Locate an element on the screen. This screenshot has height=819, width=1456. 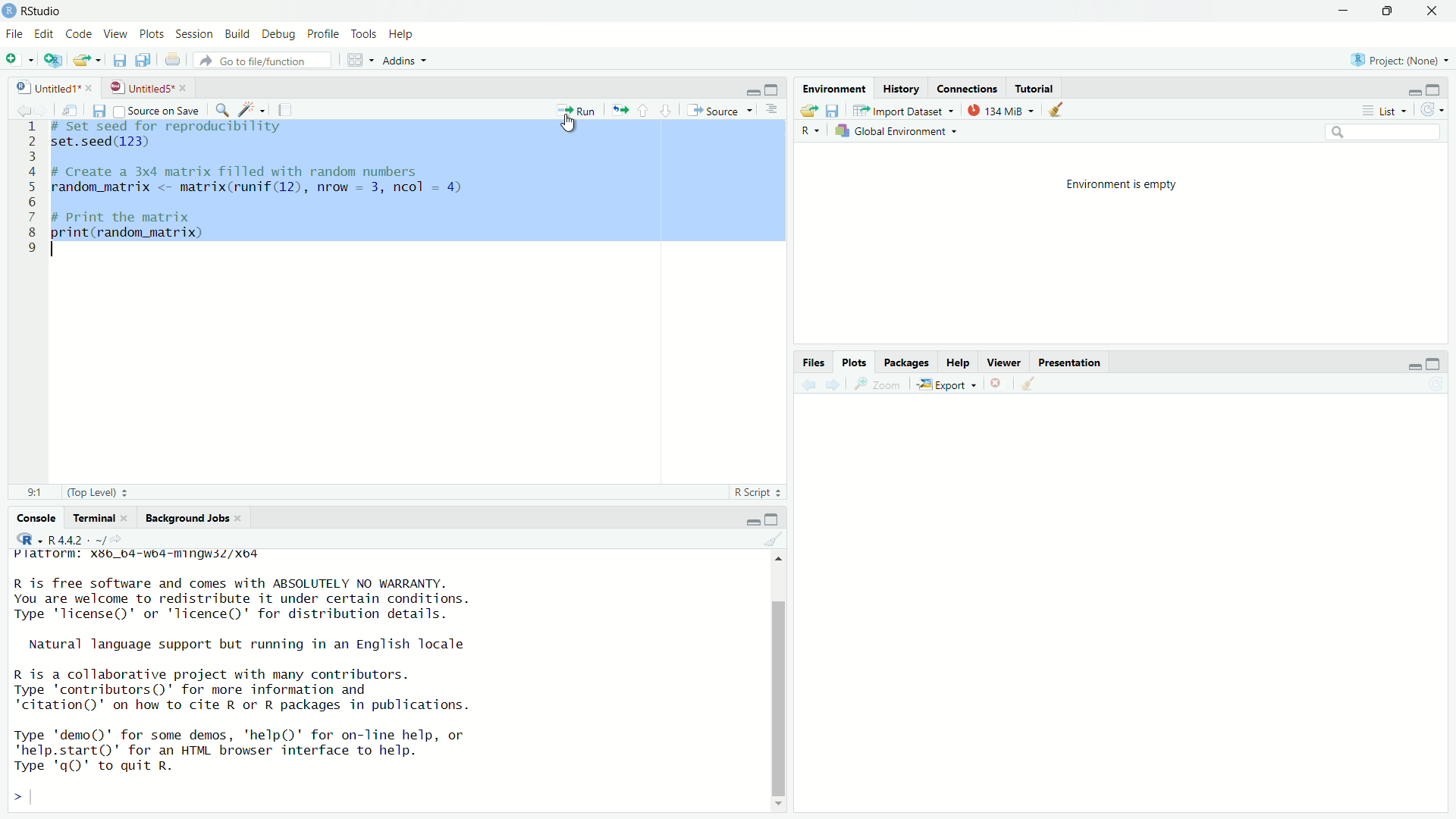
RStudio is located at coordinates (40, 11).